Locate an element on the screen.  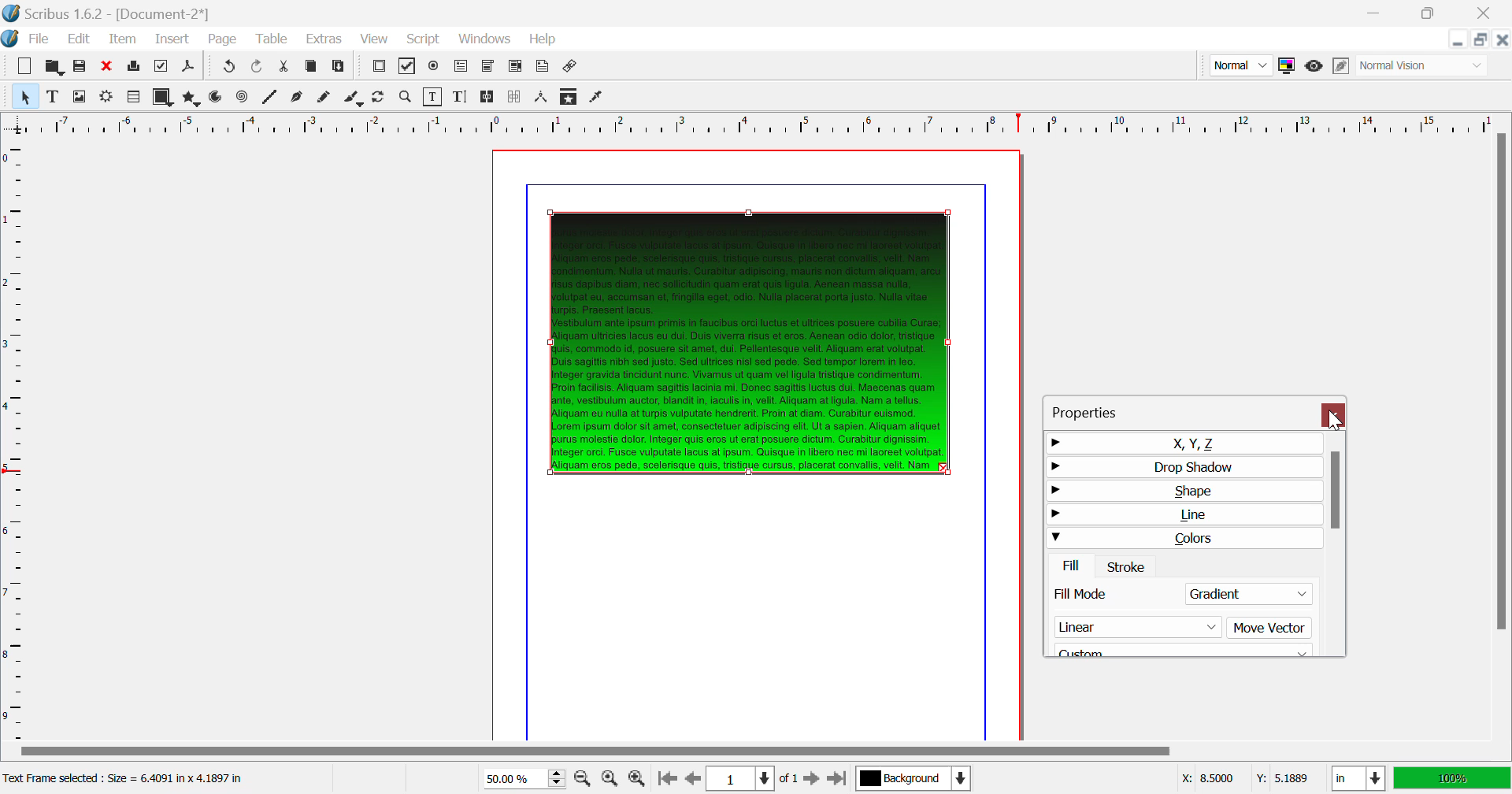
Close is located at coordinates (1488, 13).